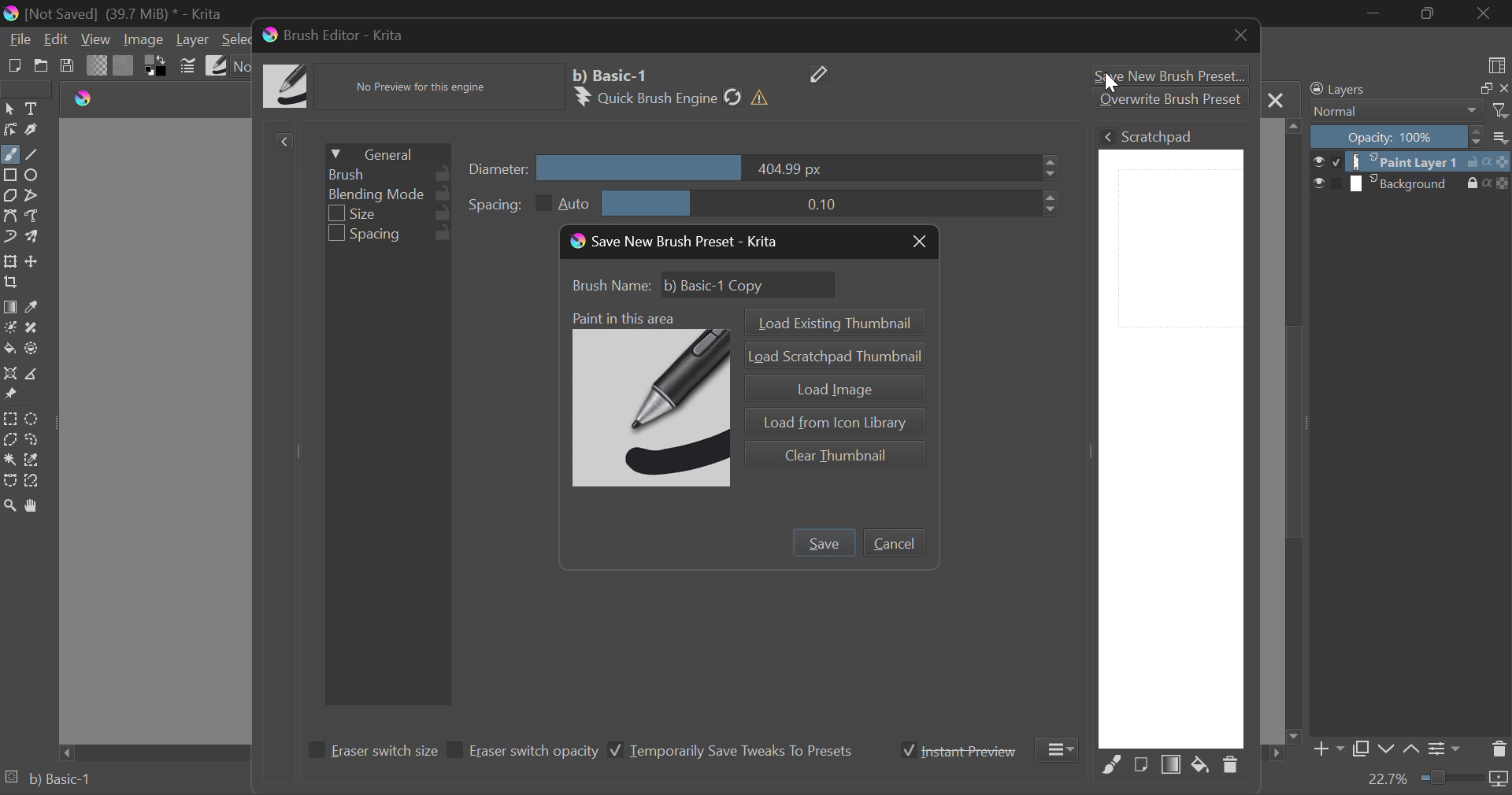 Image resolution: width=1512 pixels, height=795 pixels. I want to click on Rectangle Selection, so click(10, 418).